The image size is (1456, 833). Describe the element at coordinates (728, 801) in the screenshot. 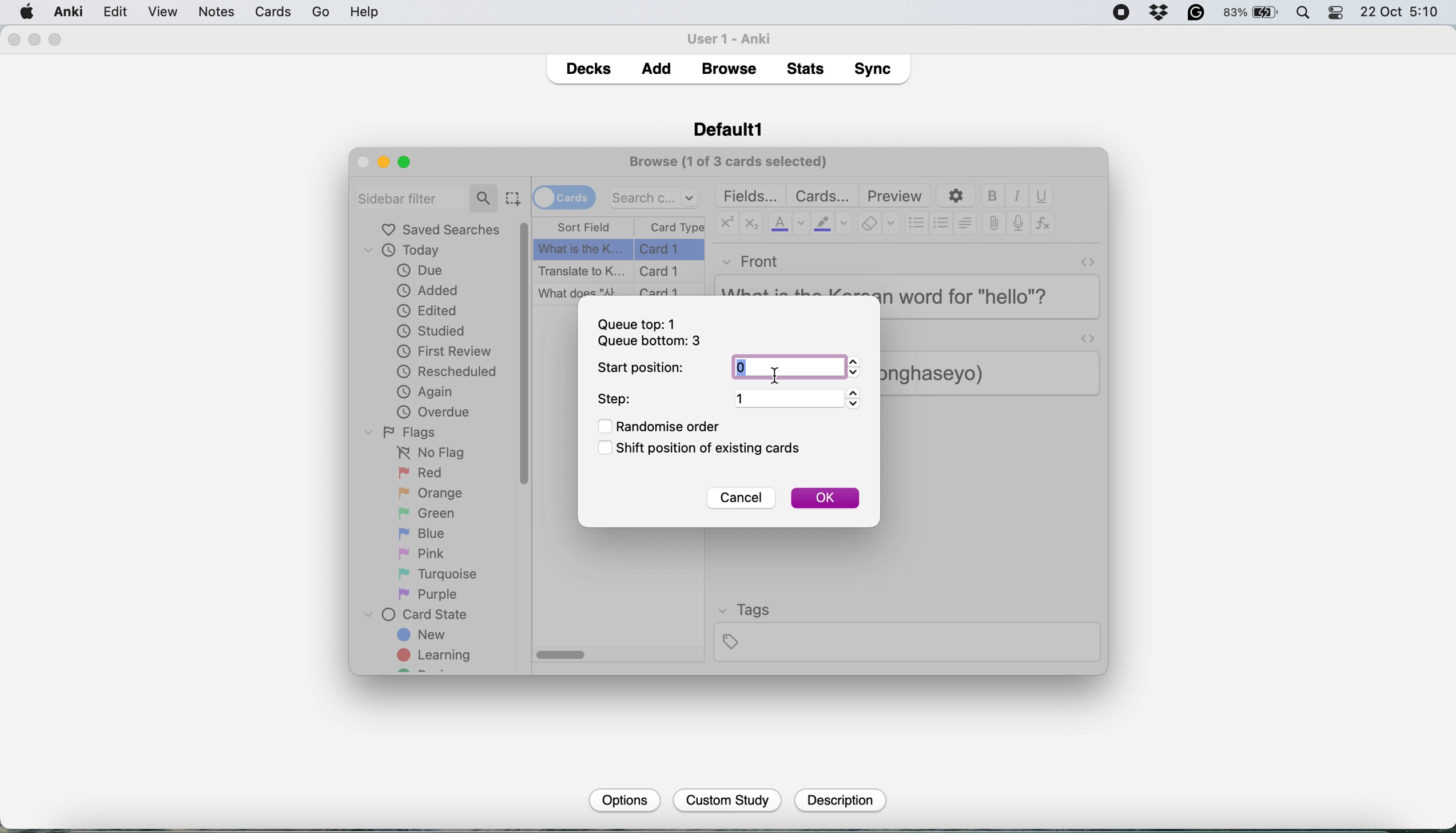

I see `Custom study` at that location.